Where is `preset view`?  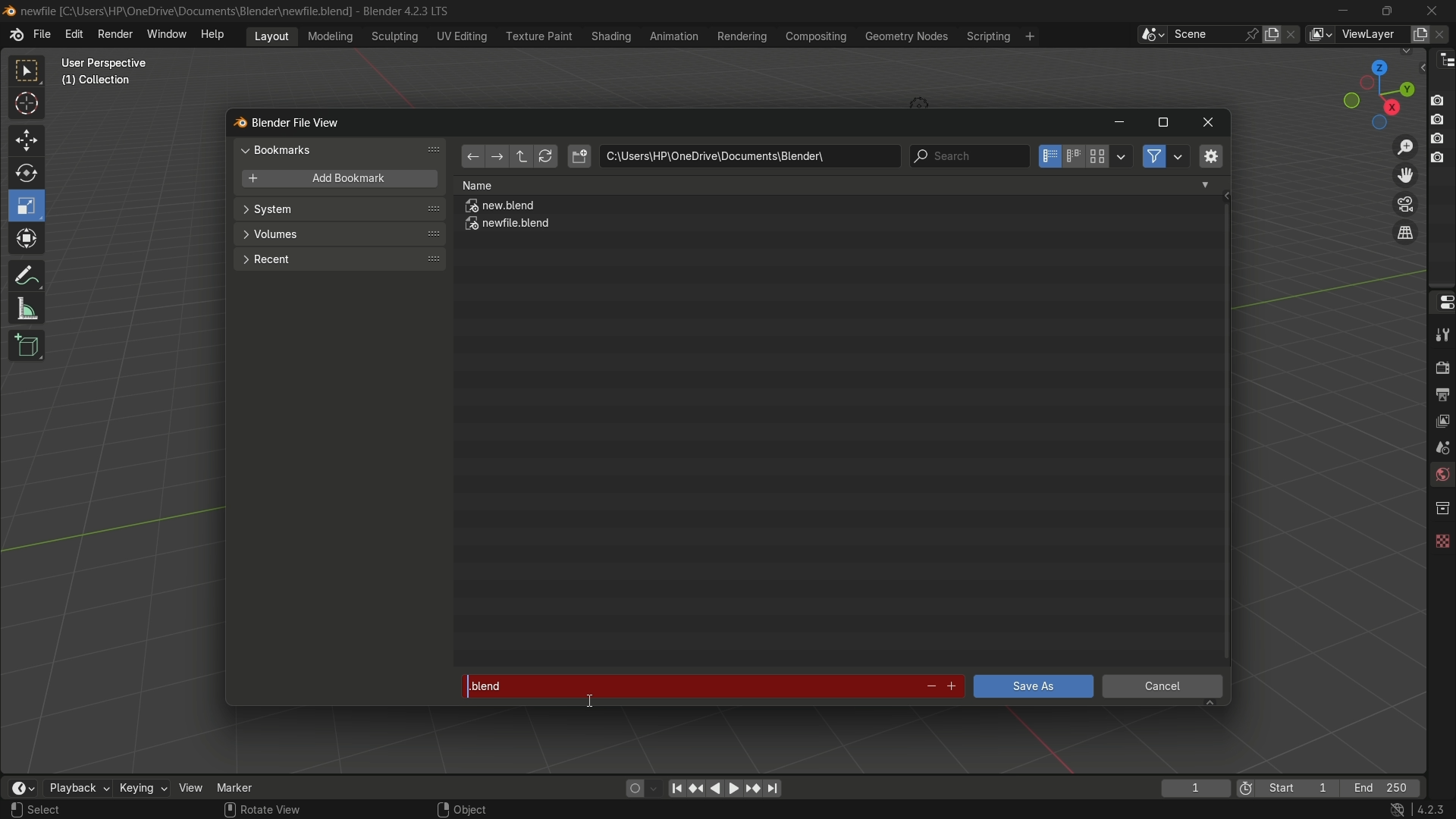
preset view is located at coordinates (1374, 91).